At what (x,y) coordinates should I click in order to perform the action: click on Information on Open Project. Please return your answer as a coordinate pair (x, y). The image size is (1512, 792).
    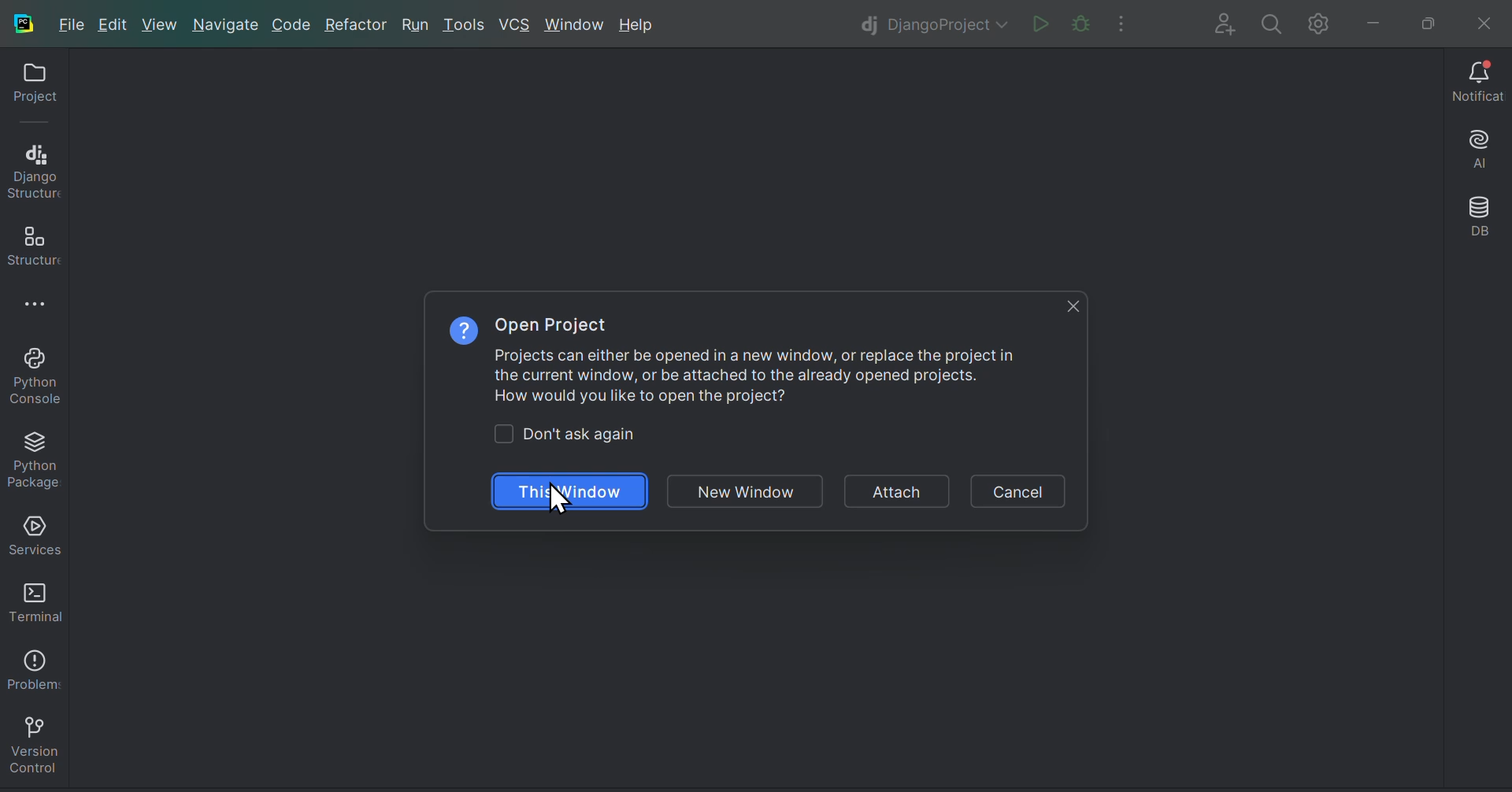
    Looking at the image, I should click on (734, 357).